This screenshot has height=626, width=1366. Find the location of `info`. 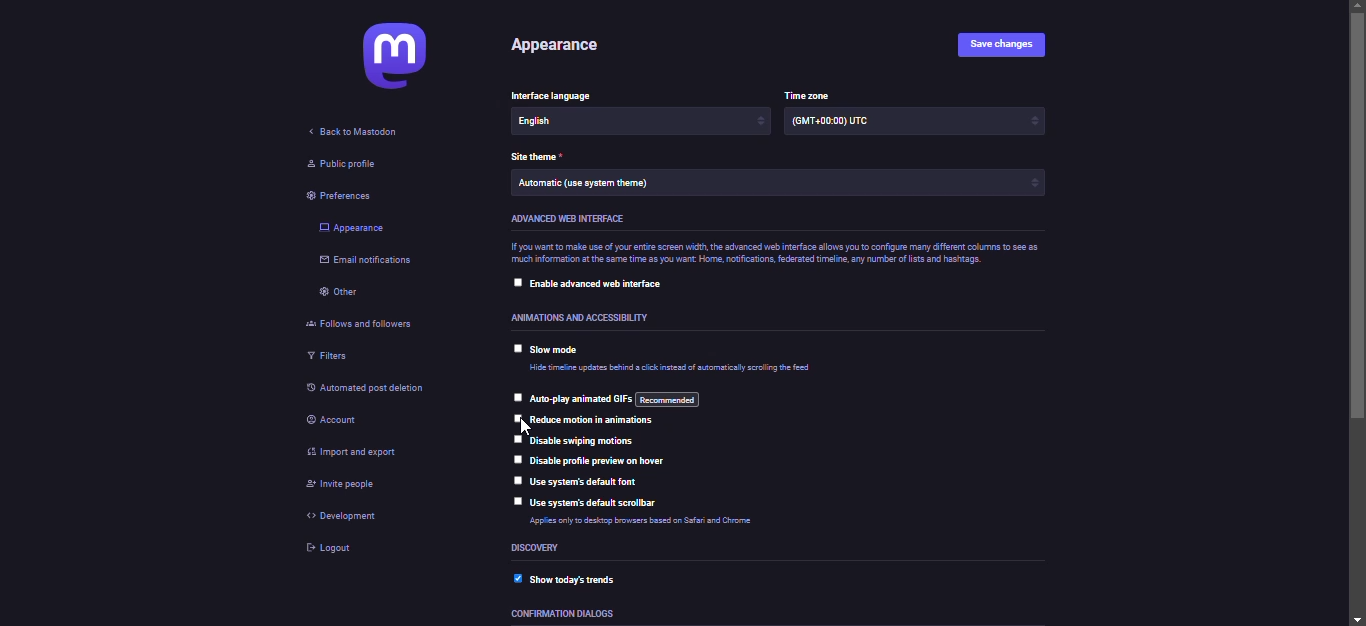

info is located at coordinates (670, 370).